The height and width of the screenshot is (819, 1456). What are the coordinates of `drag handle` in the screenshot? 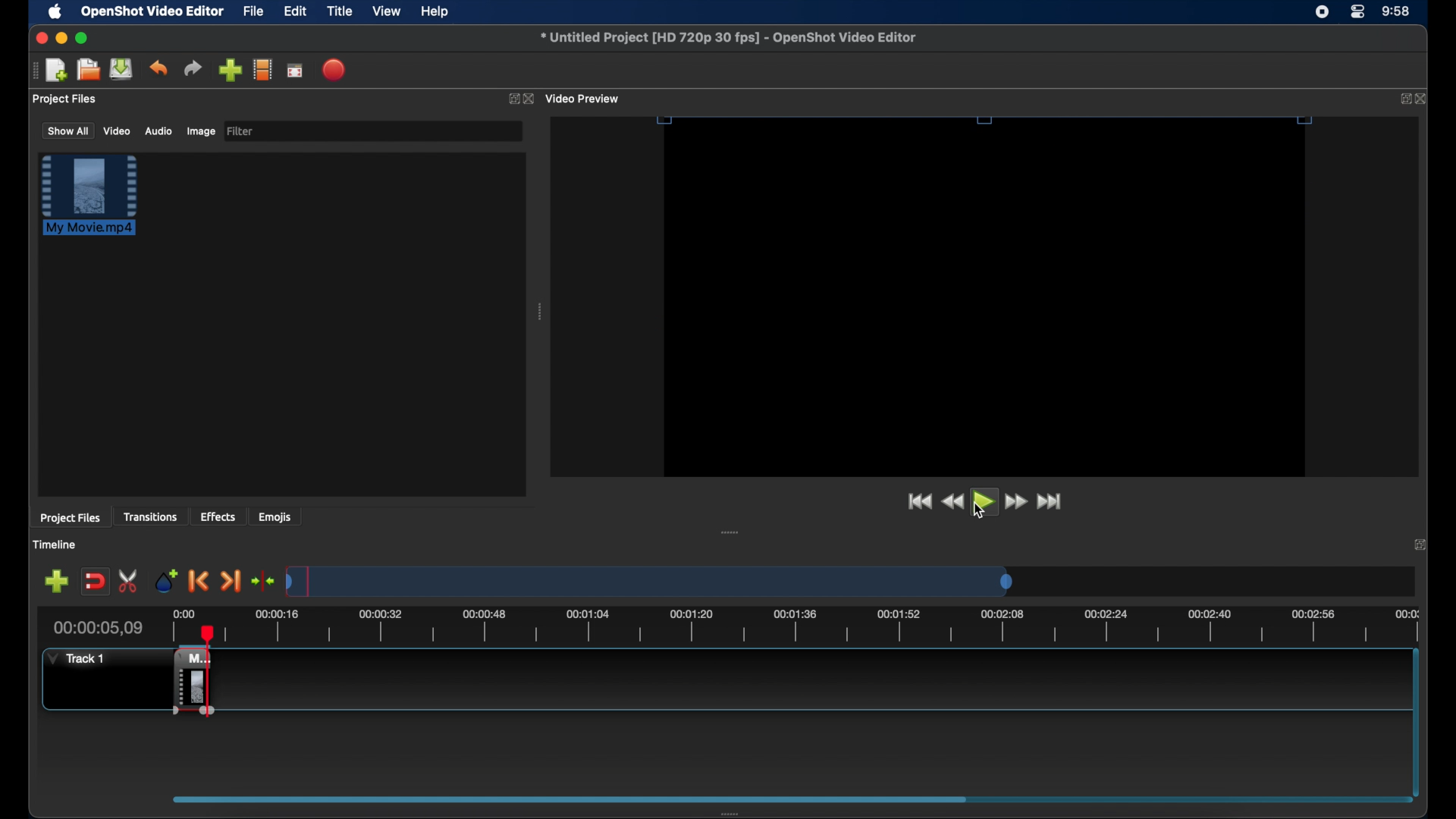 It's located at (34, 71).